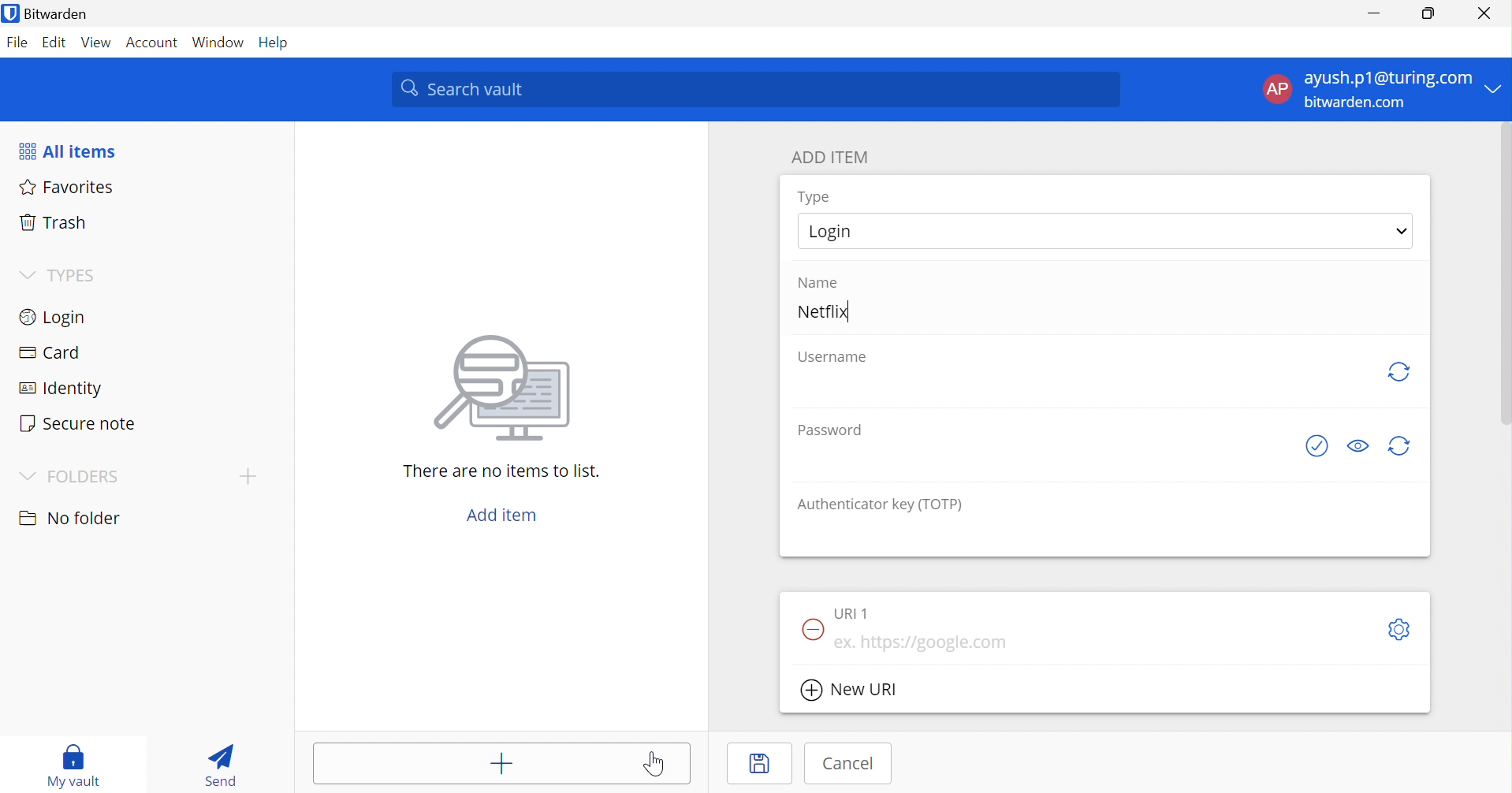  I want to click on Secure note, so click(80, 422).